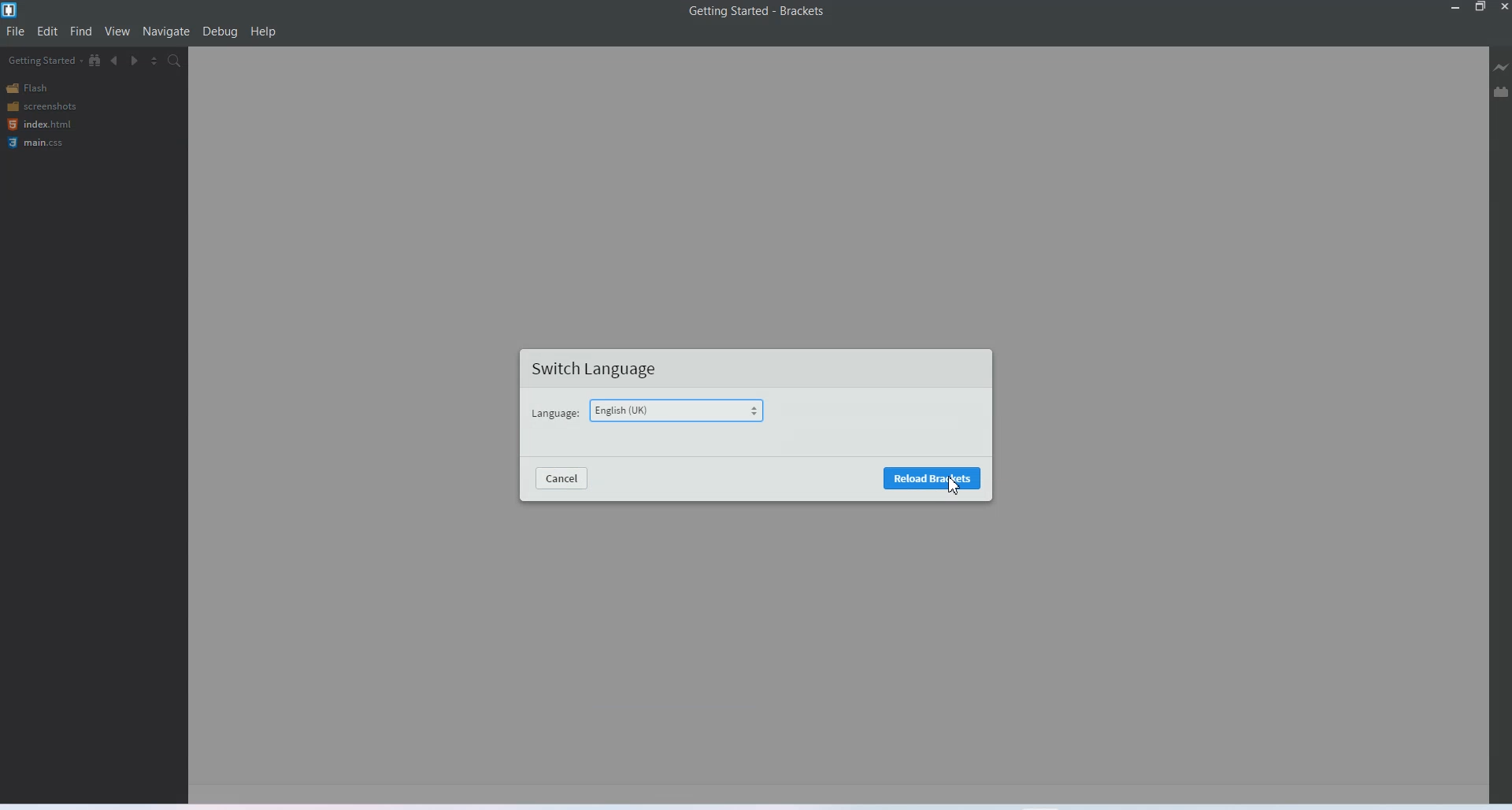 This screenshot has height=810, width=1512. What do you see at coordinates (932, 478) in the screenshot?
I see `reload brackets` at bounding box center [932, 478].